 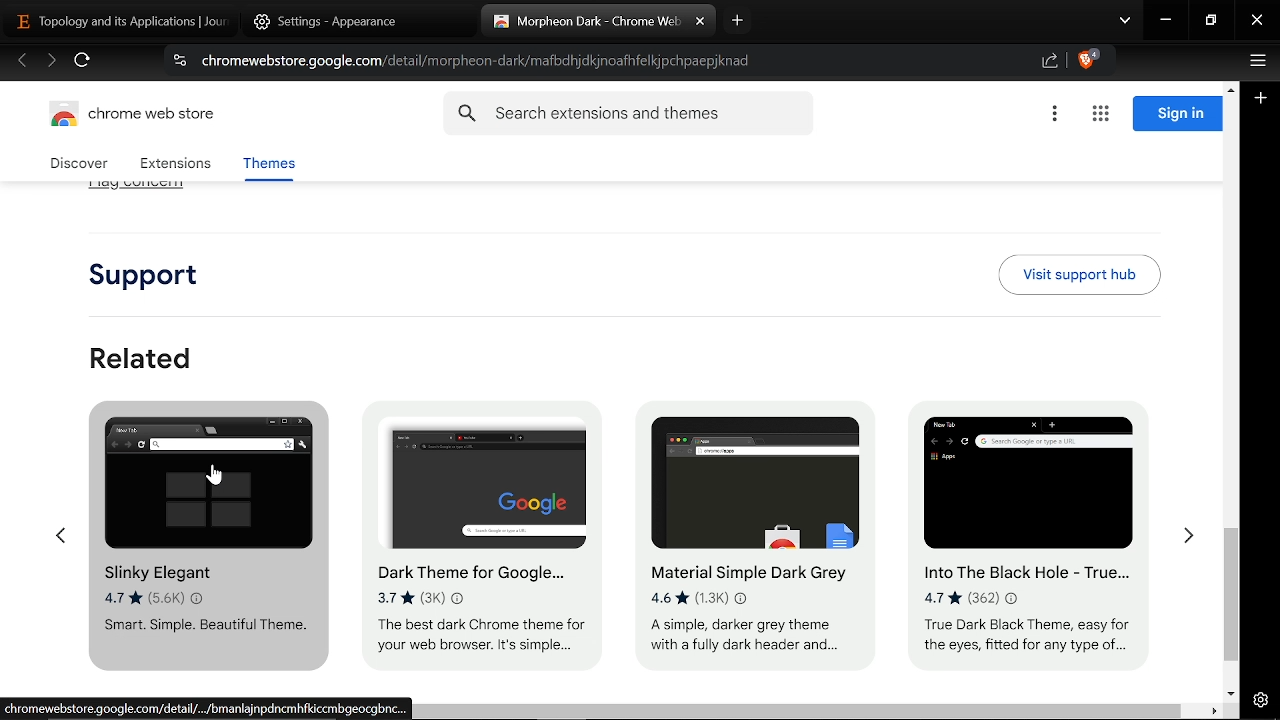 I want to click on Current web address, so click(x=482, y=61).